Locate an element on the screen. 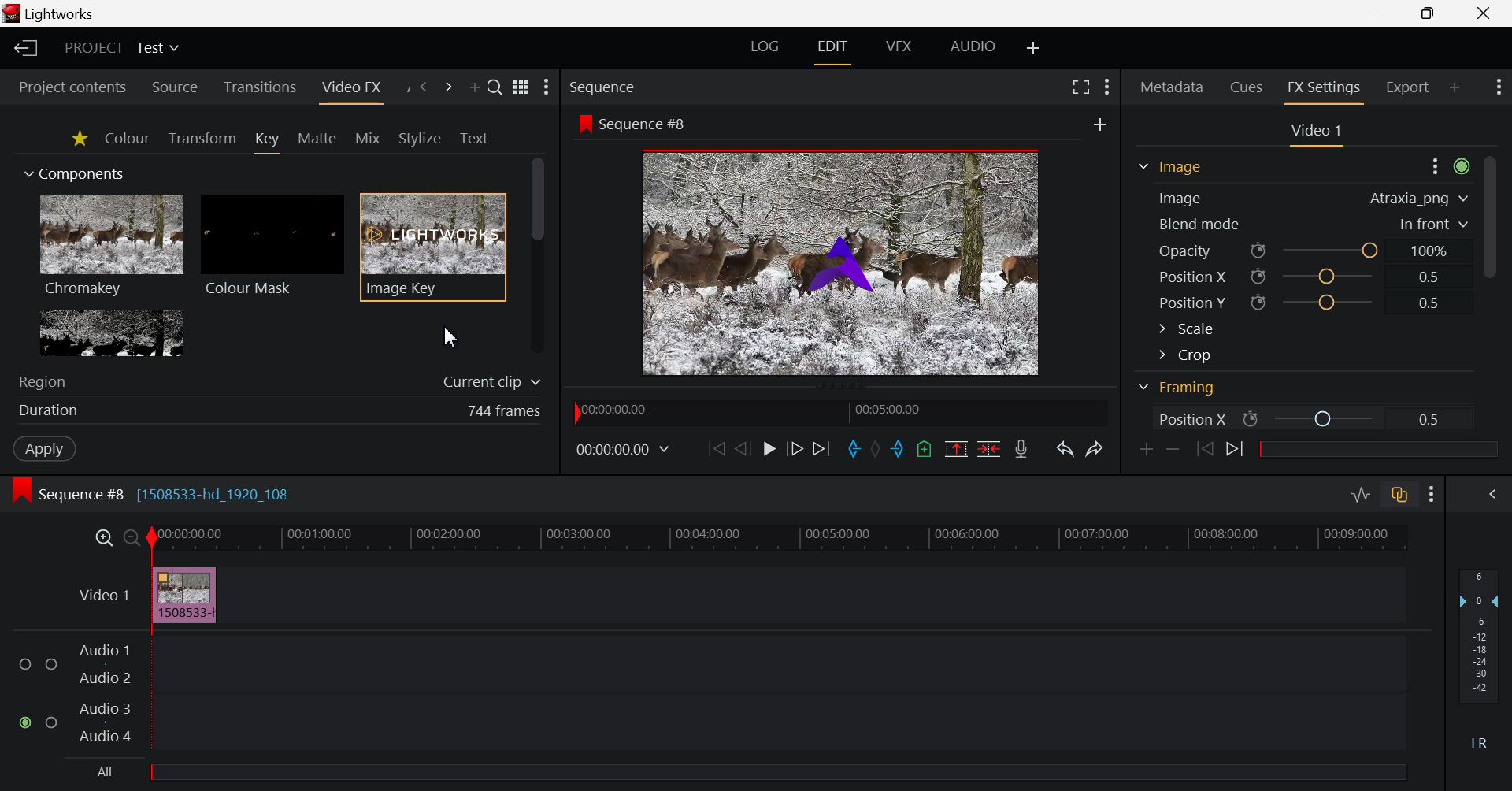  Region is located at coordinates (44, 383).